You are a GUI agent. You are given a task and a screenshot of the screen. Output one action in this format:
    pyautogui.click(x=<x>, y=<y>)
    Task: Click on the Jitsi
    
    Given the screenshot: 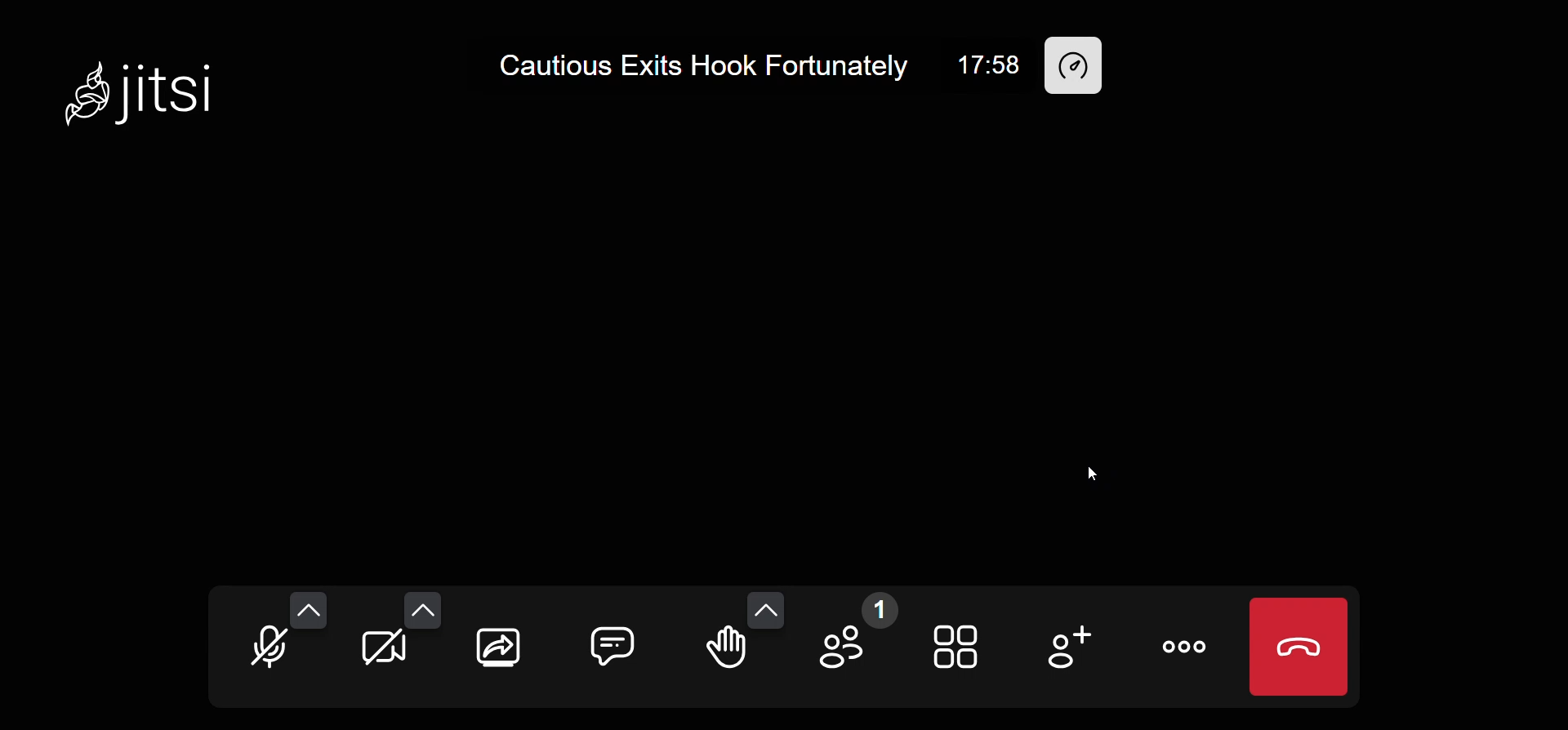 What is the action you would take?
    pyautogui.click(x=148, y=85)
    